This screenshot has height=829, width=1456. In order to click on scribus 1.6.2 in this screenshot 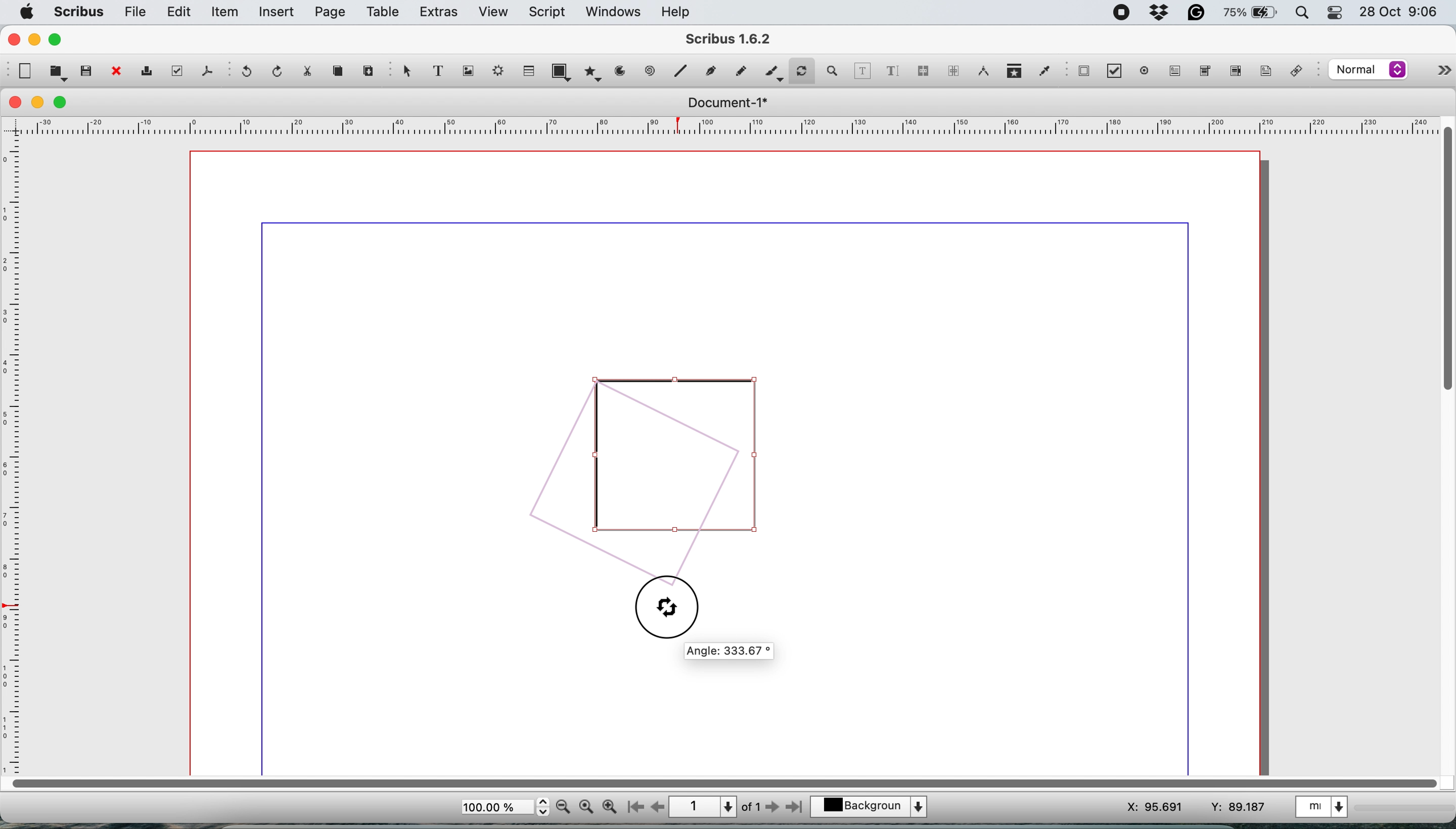, I will do `click(740, 39)`.